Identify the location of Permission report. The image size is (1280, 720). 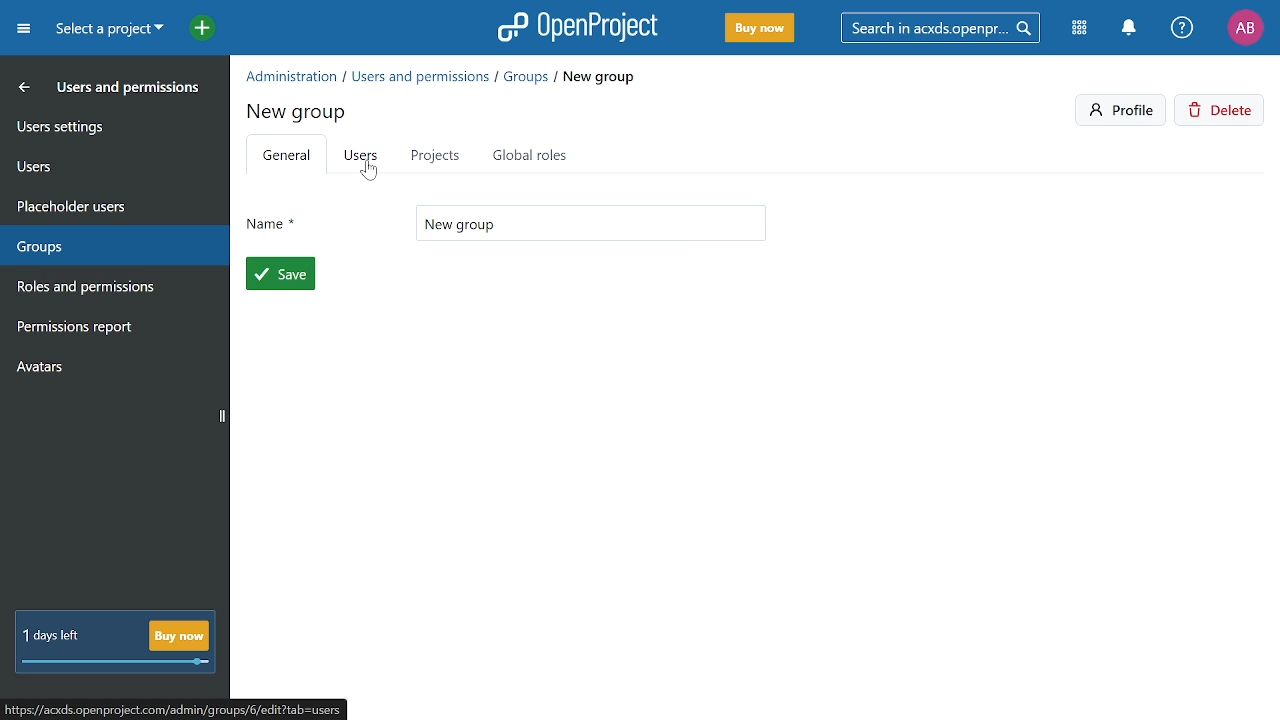
(110, 329).